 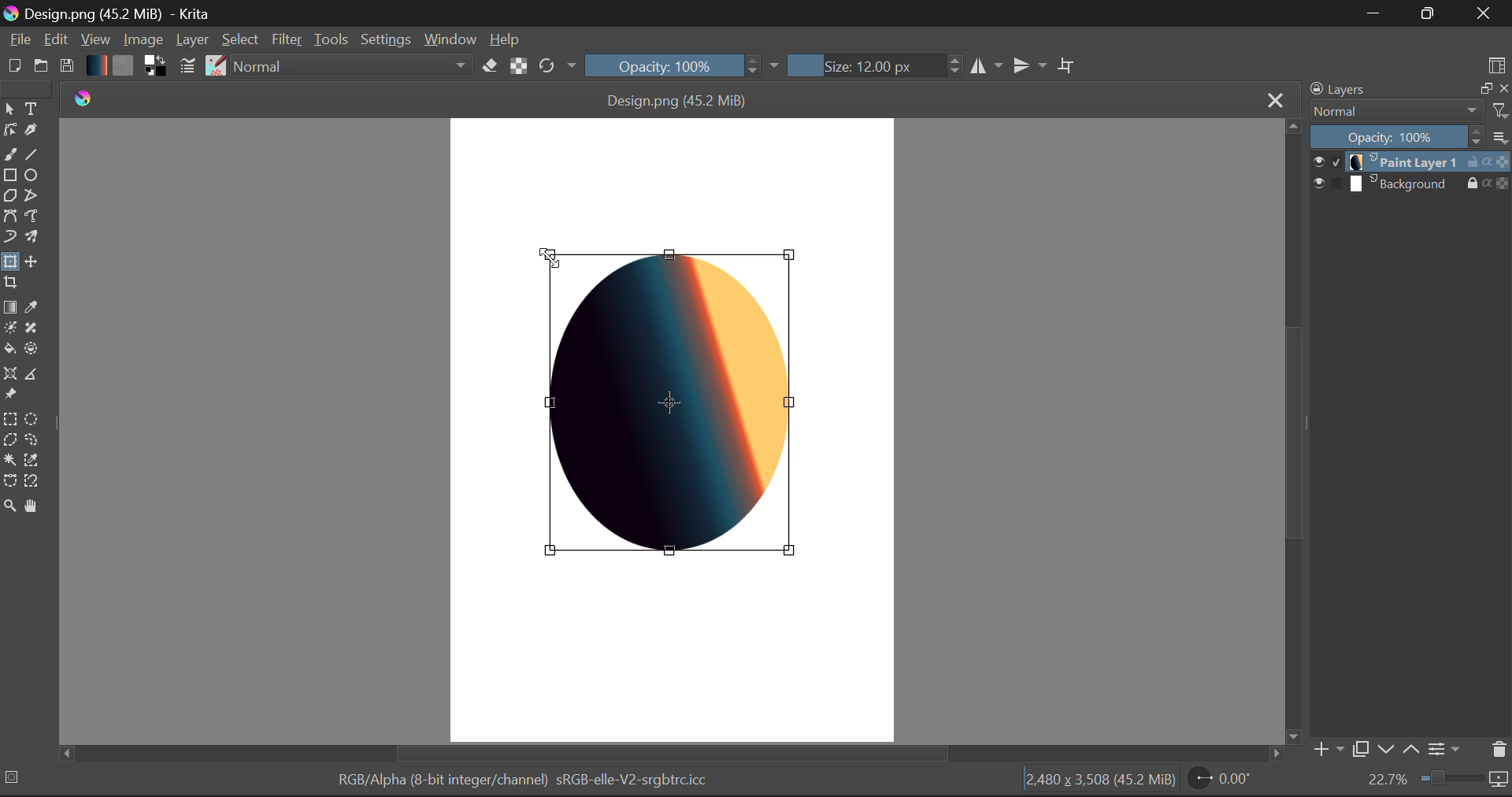 I want to click on Blending Mode, so click(x=353, y=65).